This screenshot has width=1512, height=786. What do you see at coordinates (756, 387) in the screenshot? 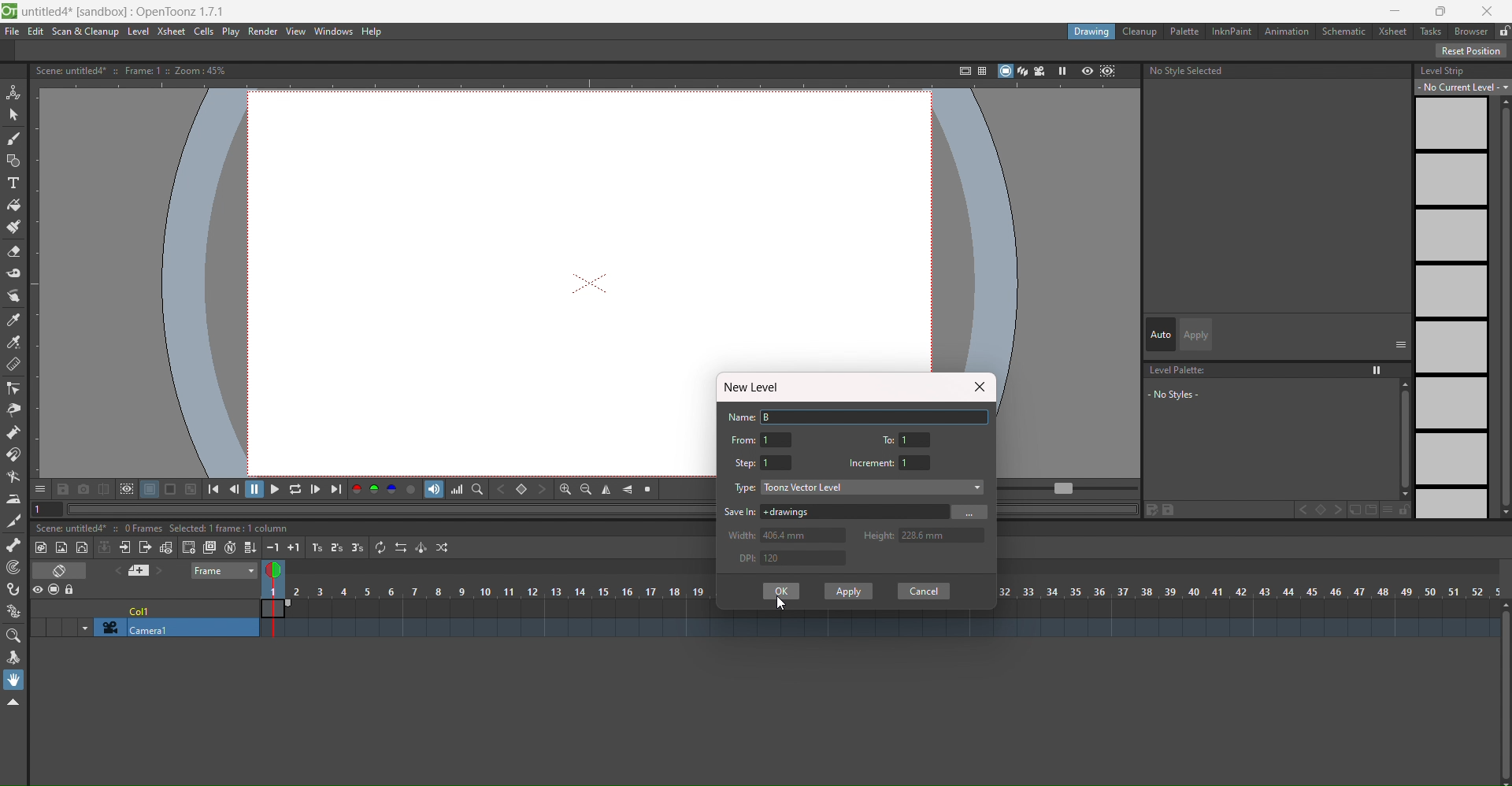
I see `new level` at bounding box center [756, 387].